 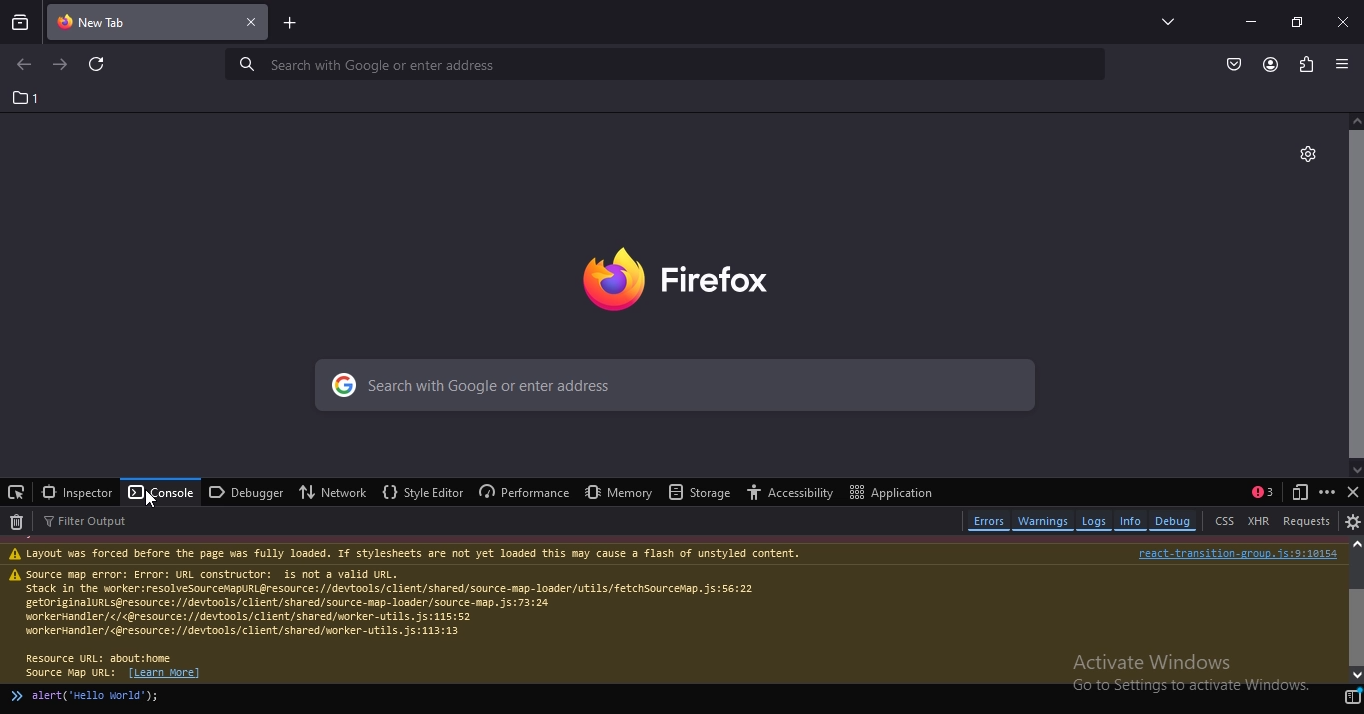 I want to click on personalise this tab, so click(x=1308, y=154).